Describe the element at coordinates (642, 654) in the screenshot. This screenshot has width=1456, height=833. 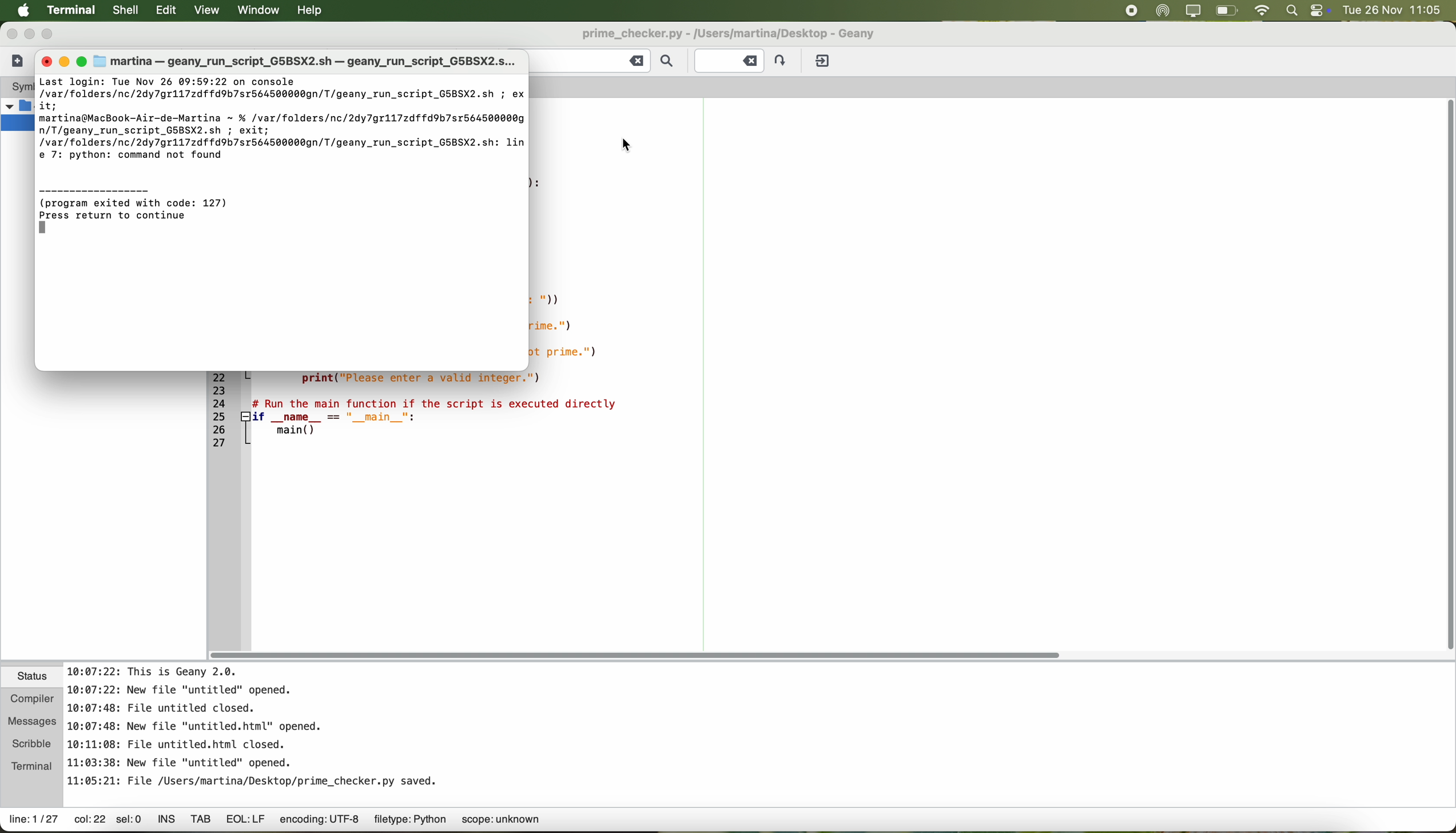
I see `scroll bar` at that location.